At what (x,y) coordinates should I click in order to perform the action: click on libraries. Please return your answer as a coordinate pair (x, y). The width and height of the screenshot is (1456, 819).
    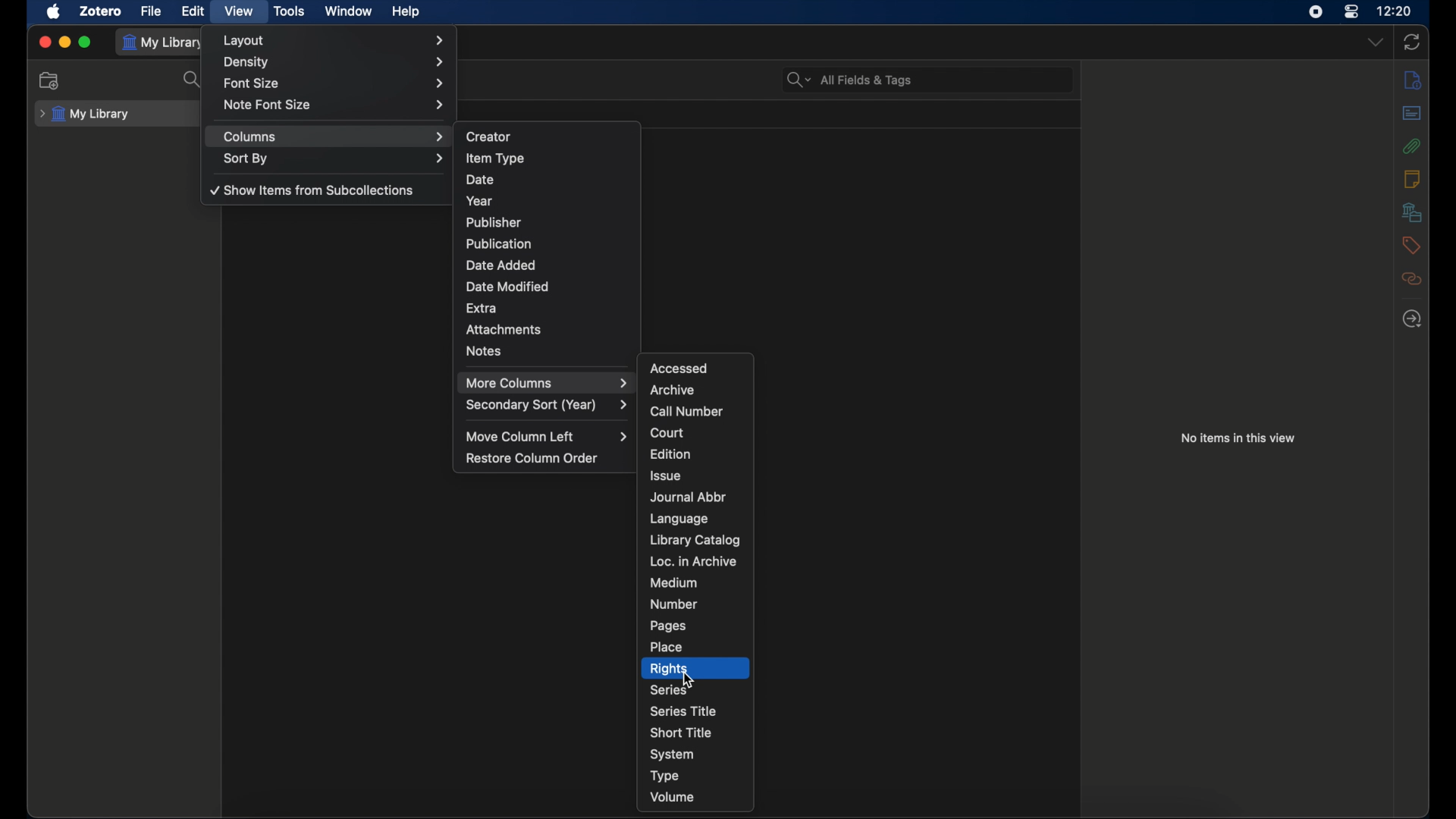
    Looking at the image, I should click on (1412, 212).